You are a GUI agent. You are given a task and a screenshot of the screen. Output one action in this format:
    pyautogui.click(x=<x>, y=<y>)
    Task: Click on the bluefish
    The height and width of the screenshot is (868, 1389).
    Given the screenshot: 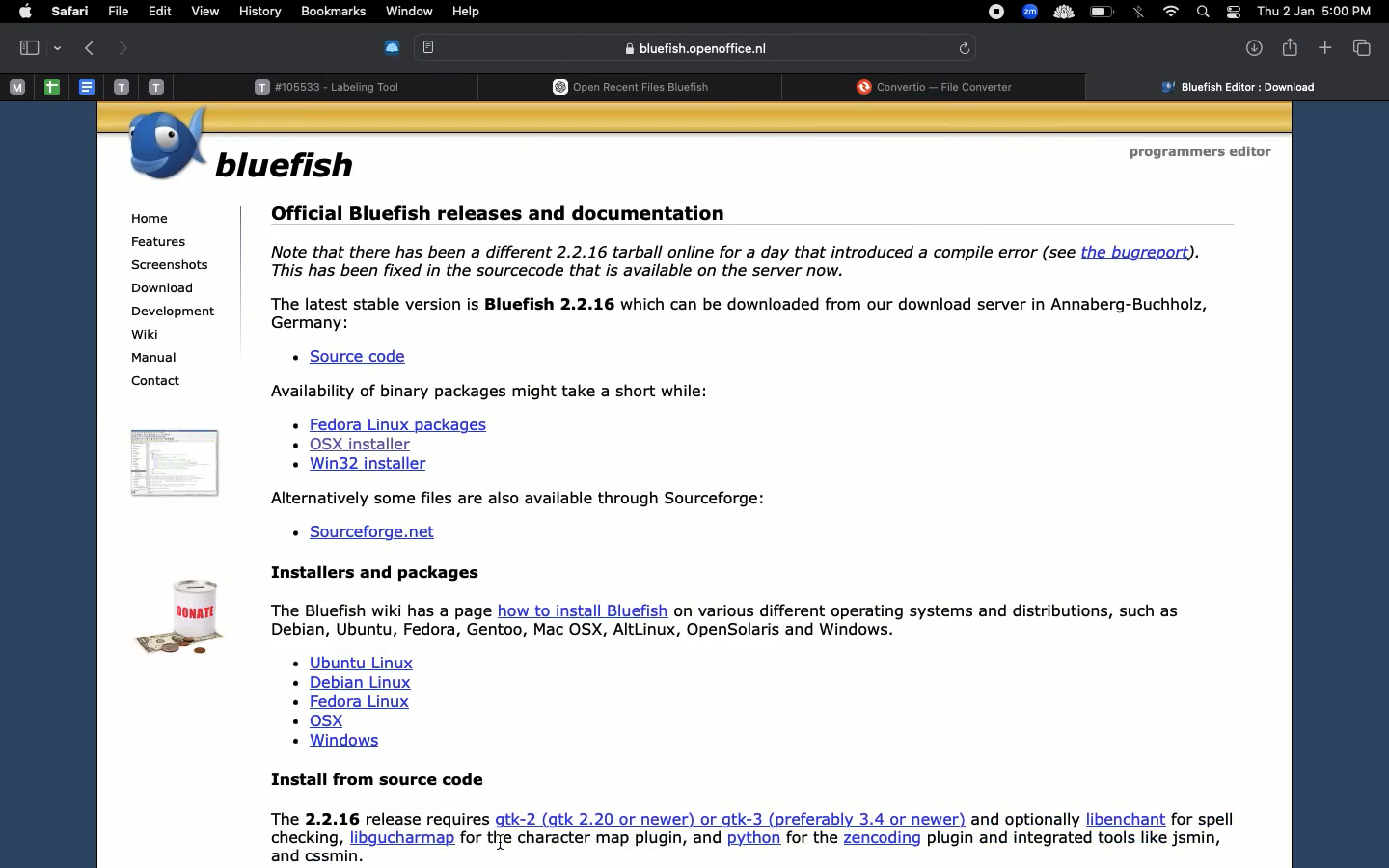 What is the action you would take?
    pyautogui.click(x=697, y=48)
    